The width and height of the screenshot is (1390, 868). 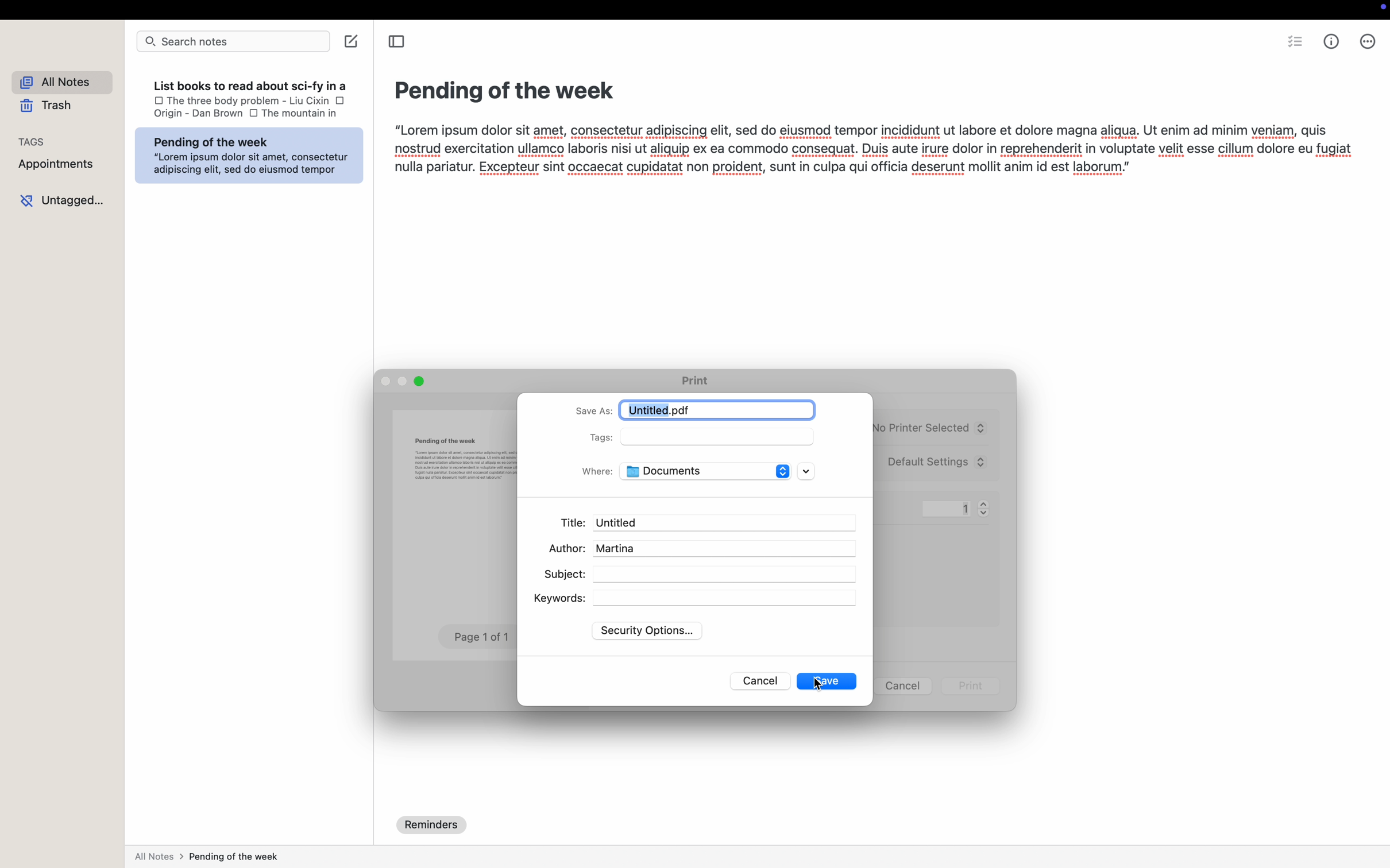 I want to click on toggle sidebar, so click(x=399, y=44).